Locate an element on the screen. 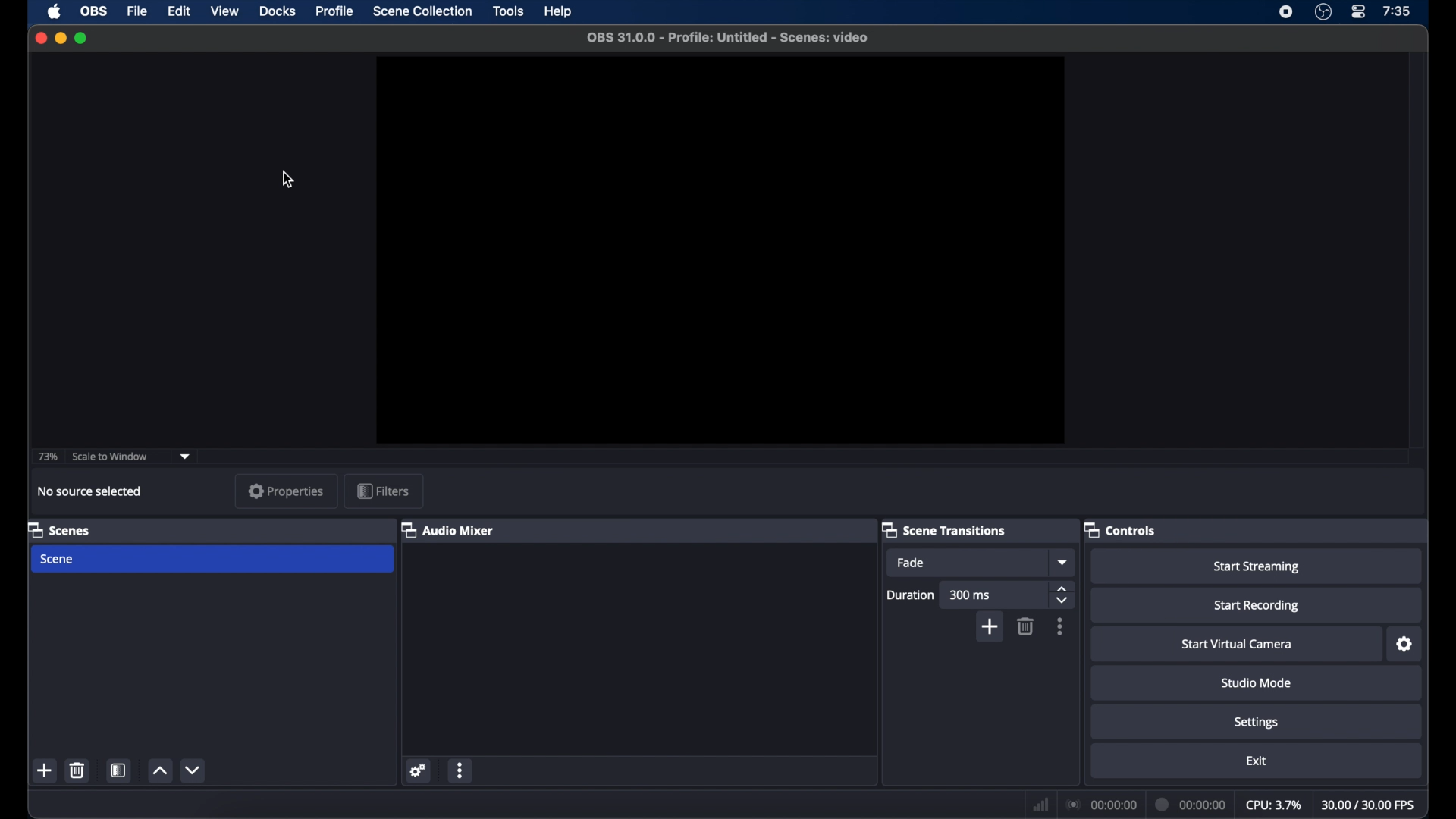 This screenshot has width=1456, height=819. add is located at coordinates (989, 628).